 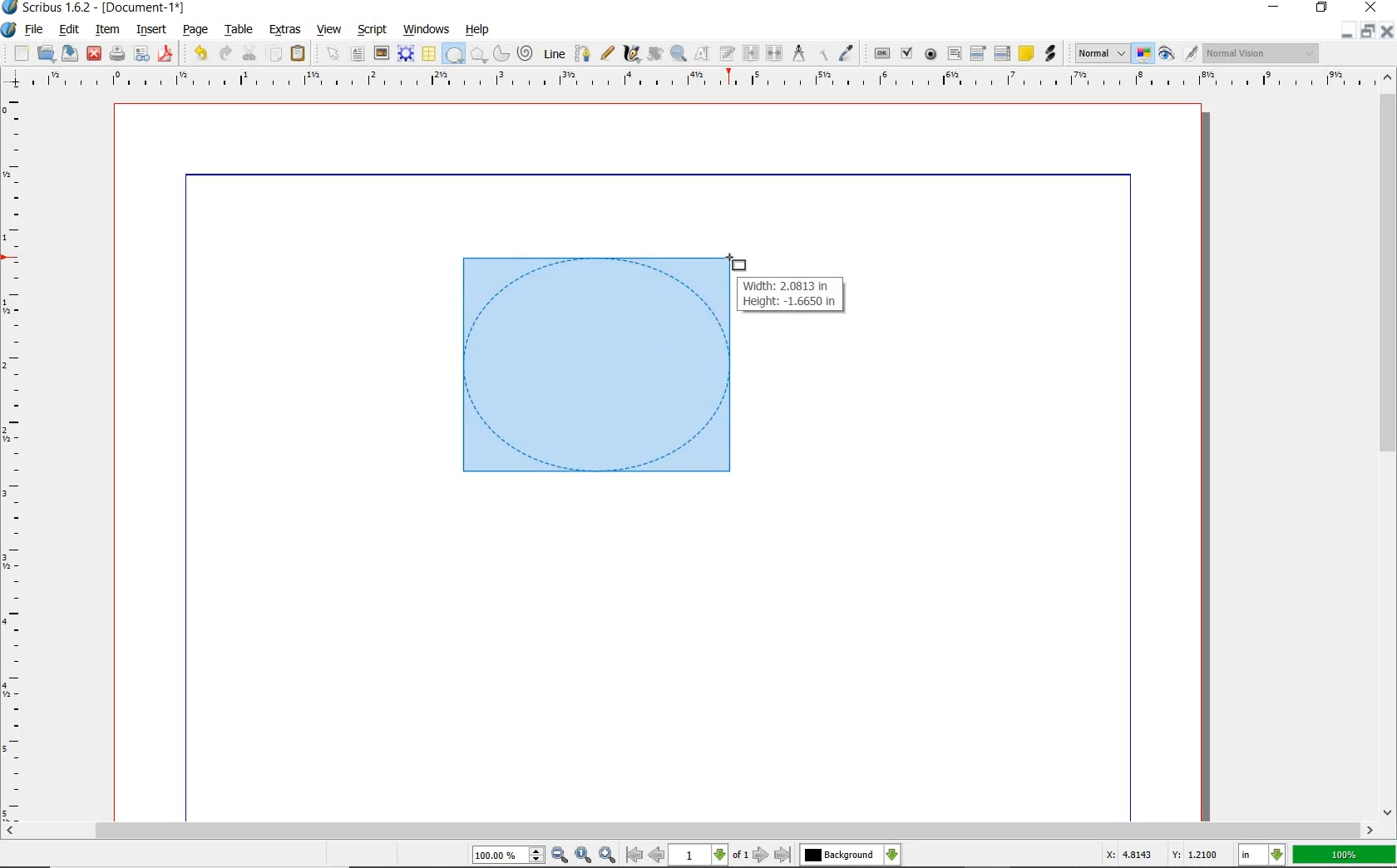 I want to click on POLYGON, so click(x=478, y=55).